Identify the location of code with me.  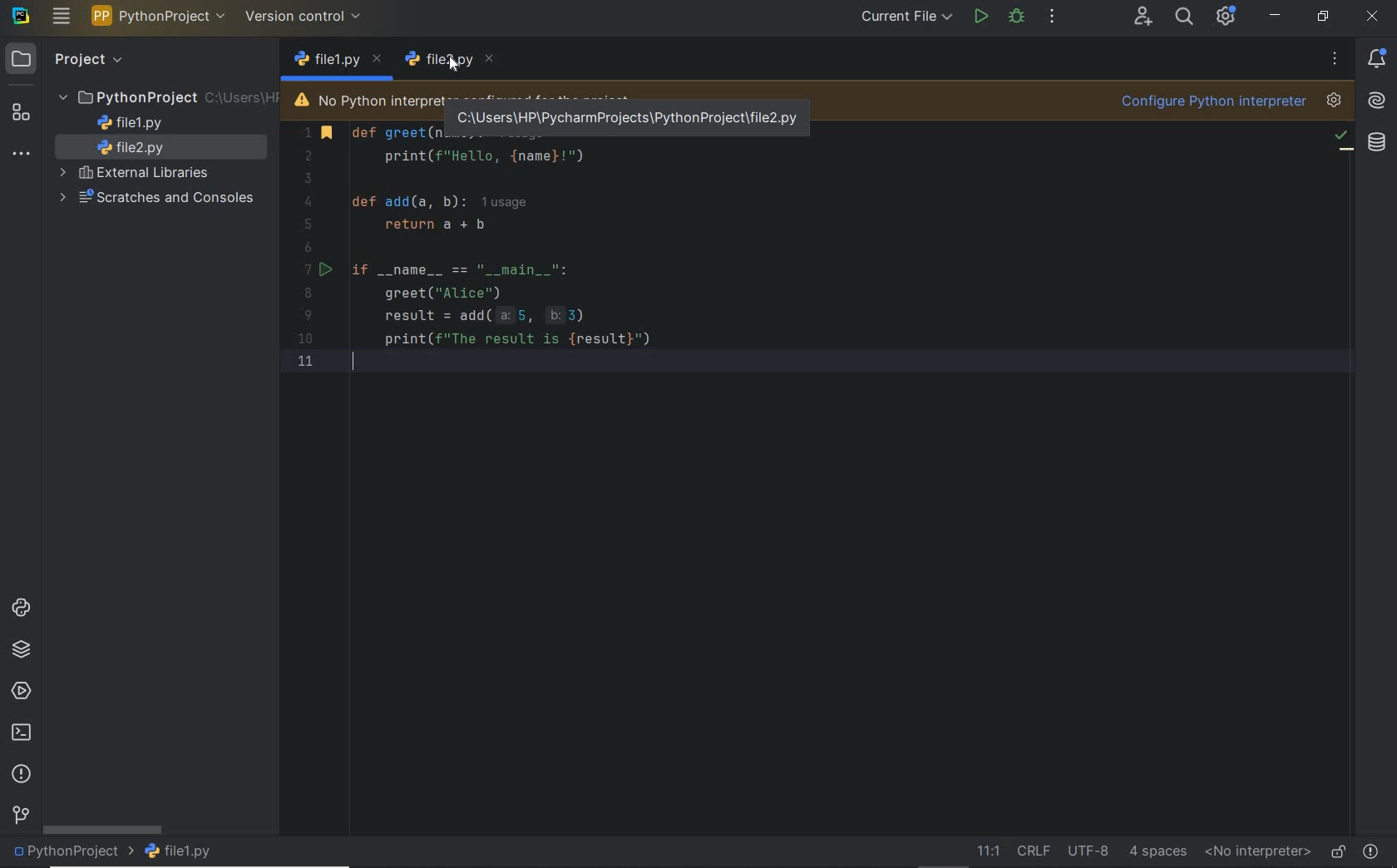
(1143, 18).